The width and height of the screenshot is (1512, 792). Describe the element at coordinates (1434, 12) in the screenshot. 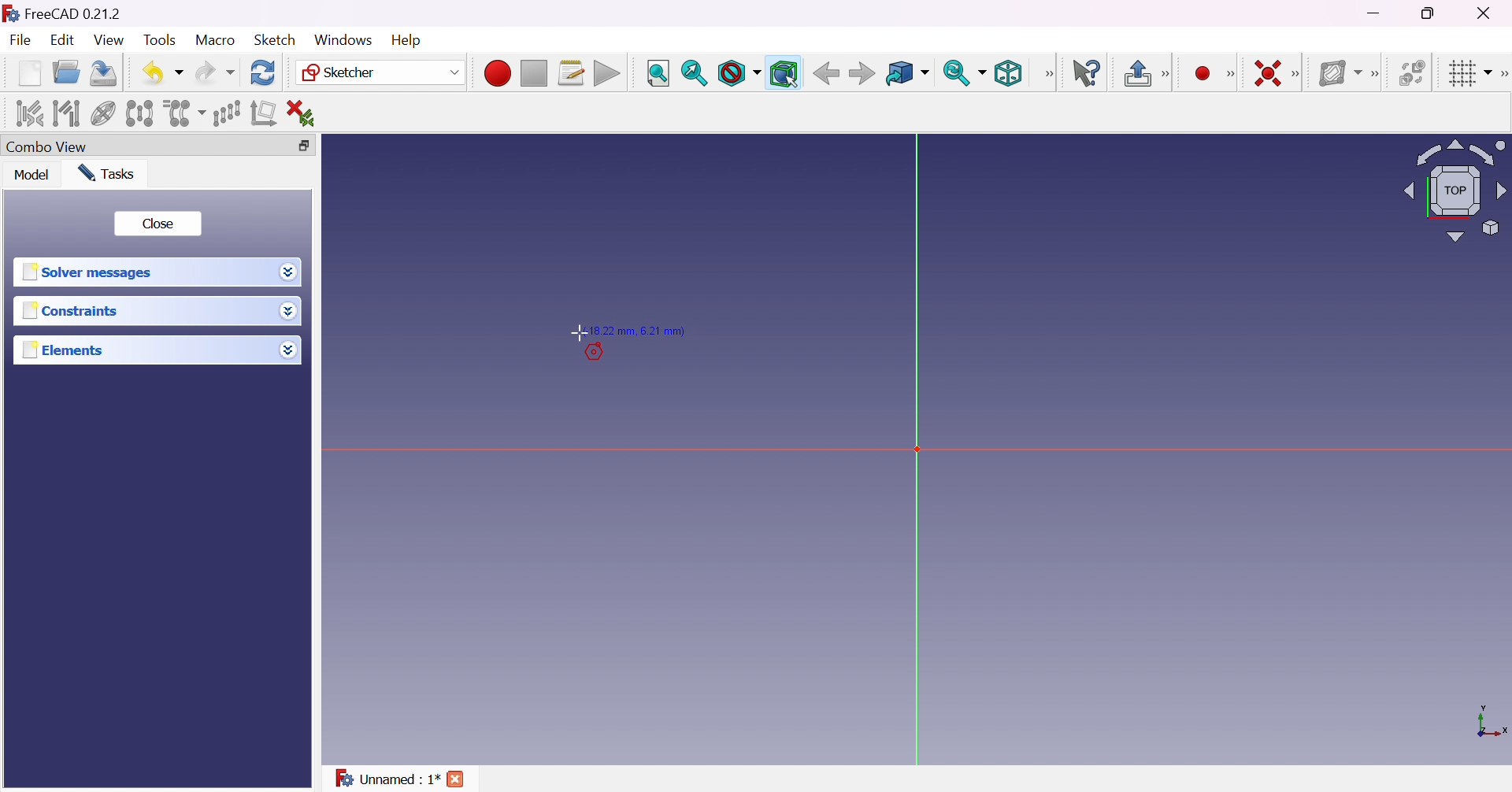

I see `Restore down` at that location.